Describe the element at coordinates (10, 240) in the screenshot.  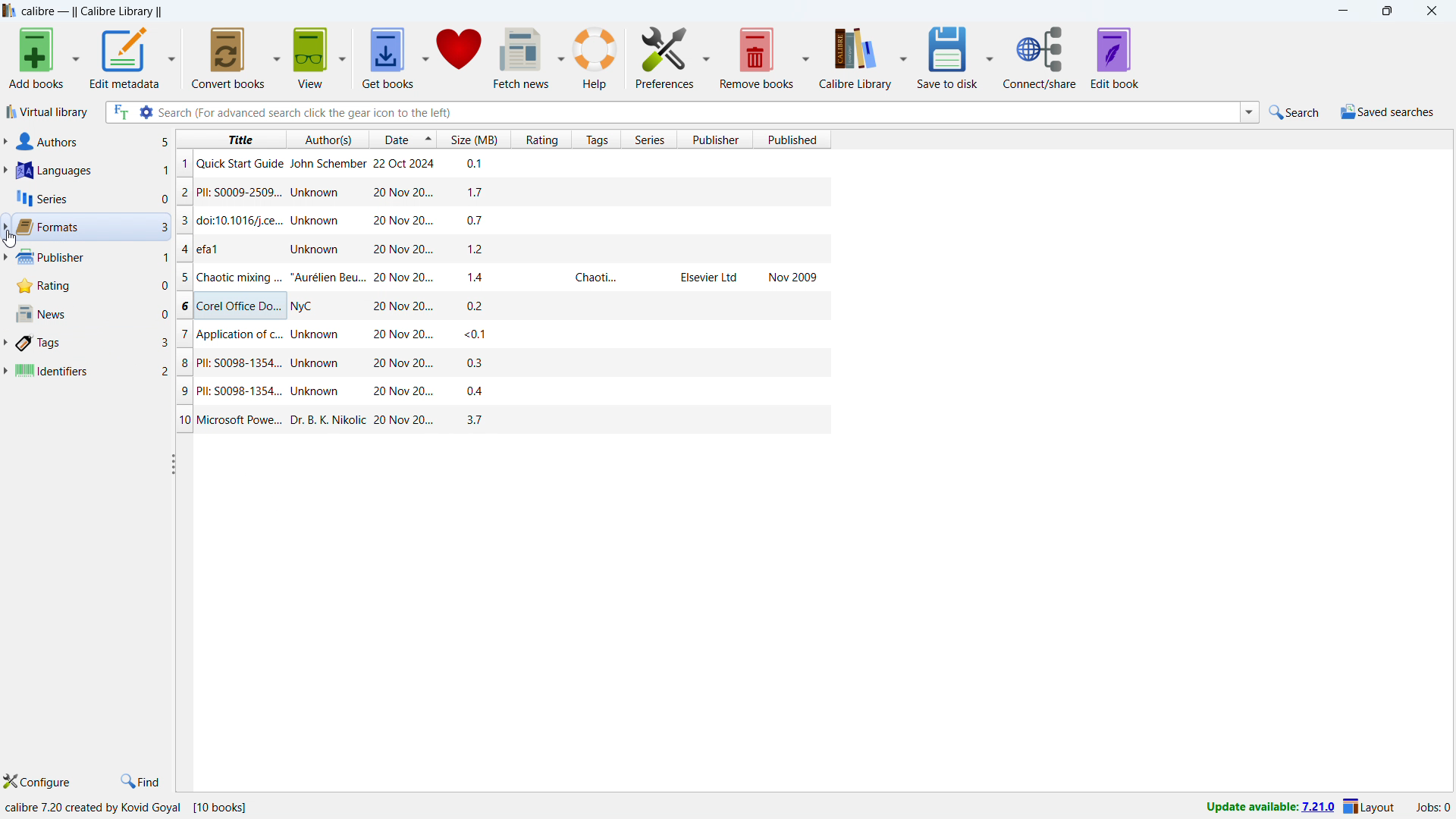
I see `cursor` at that location.